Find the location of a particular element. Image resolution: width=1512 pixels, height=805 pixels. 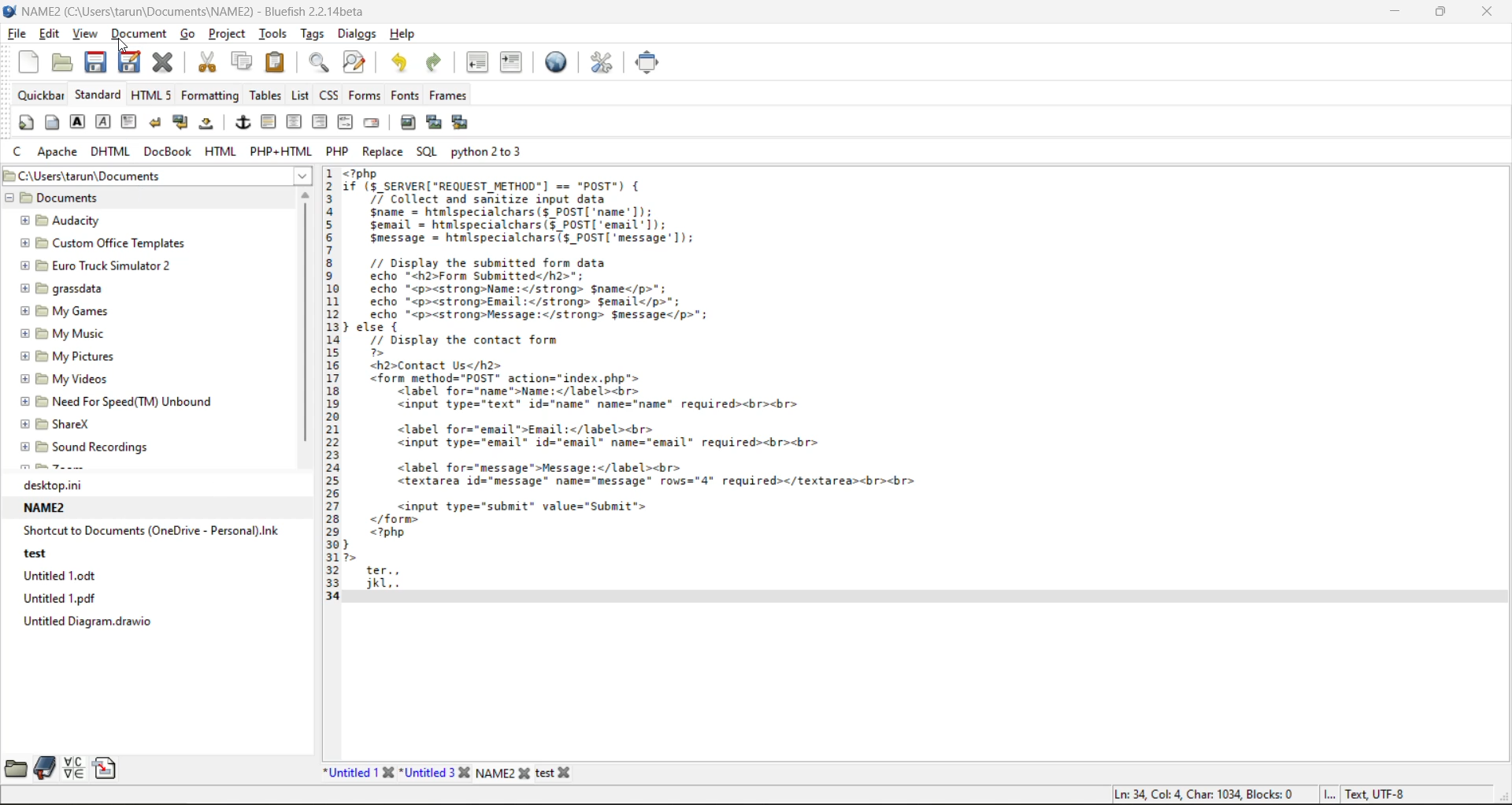

project is located at coordinates (231, 35).